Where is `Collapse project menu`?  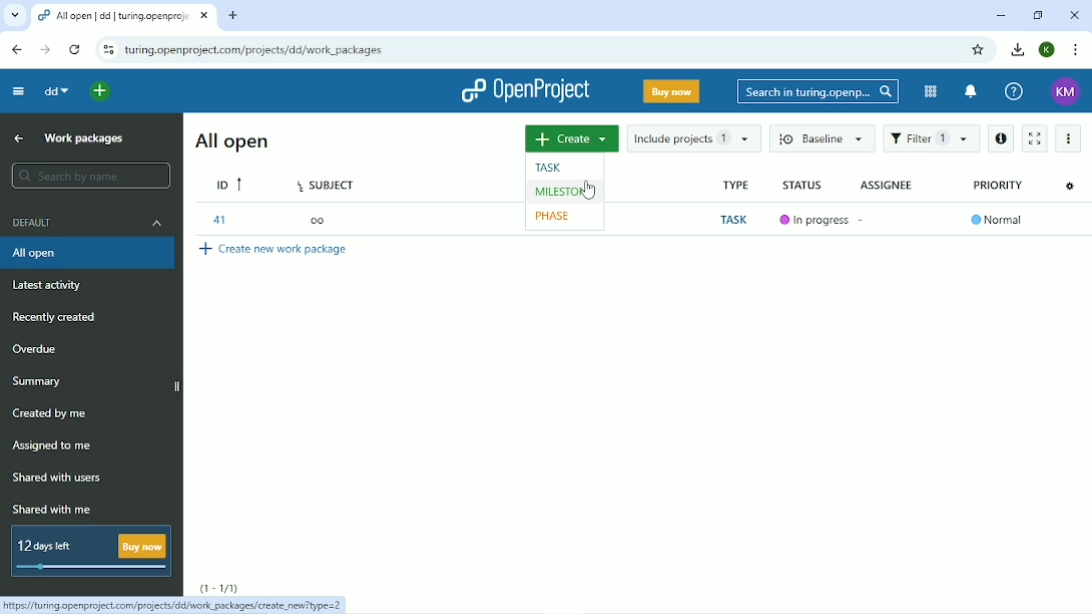 Collapse project menu is located at coordinates (19, 92).